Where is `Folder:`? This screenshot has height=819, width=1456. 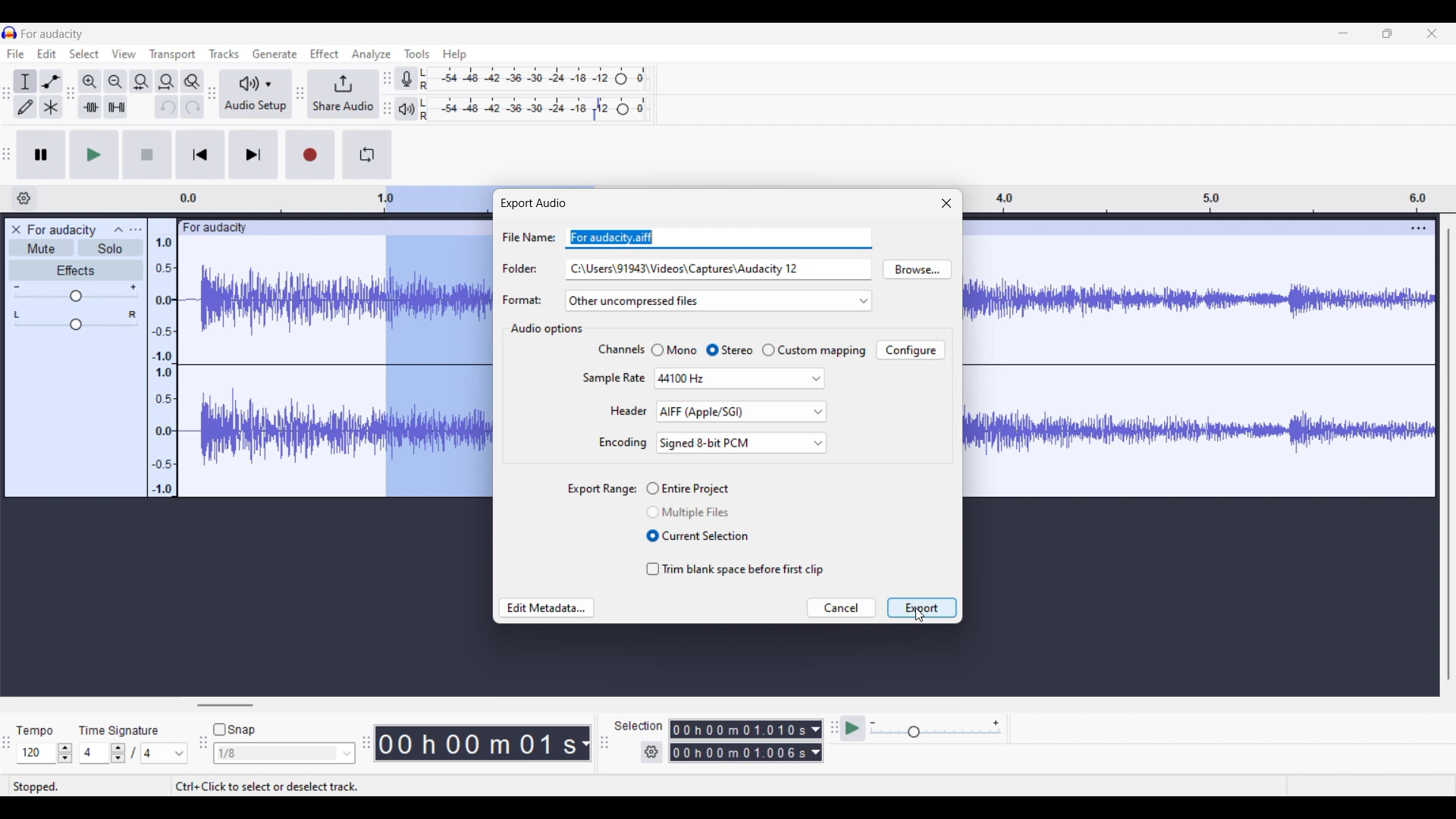 Folder: is located at coordinates (519, 267).